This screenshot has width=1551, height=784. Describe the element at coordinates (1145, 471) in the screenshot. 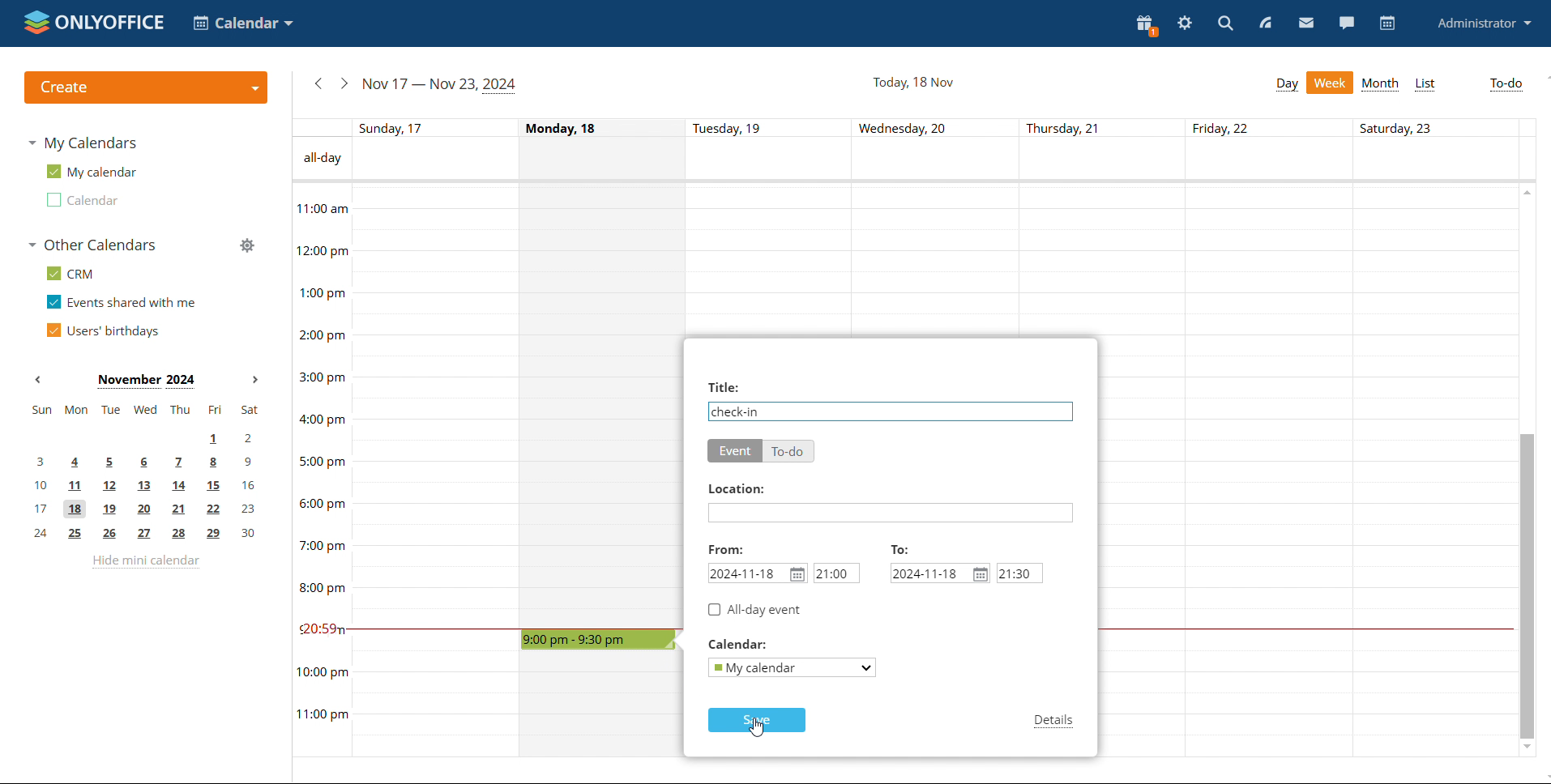

I see `Thursday` at that location.